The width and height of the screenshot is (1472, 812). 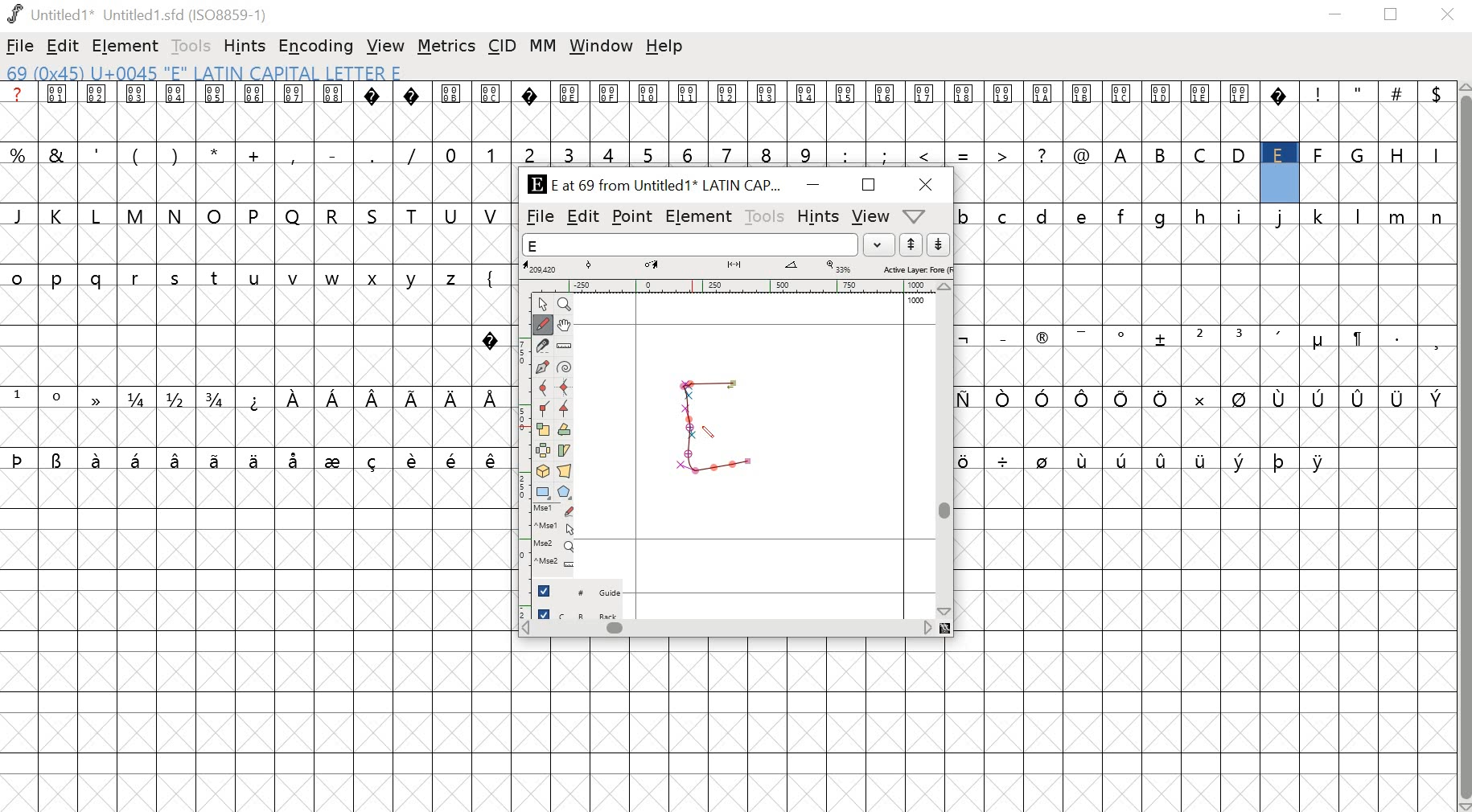 What do you see at coordinates (651, 186) in the screenshot?
I see `E at 69 from Untitled1 LATIN CAPI...` at bounding box center [651, 186].